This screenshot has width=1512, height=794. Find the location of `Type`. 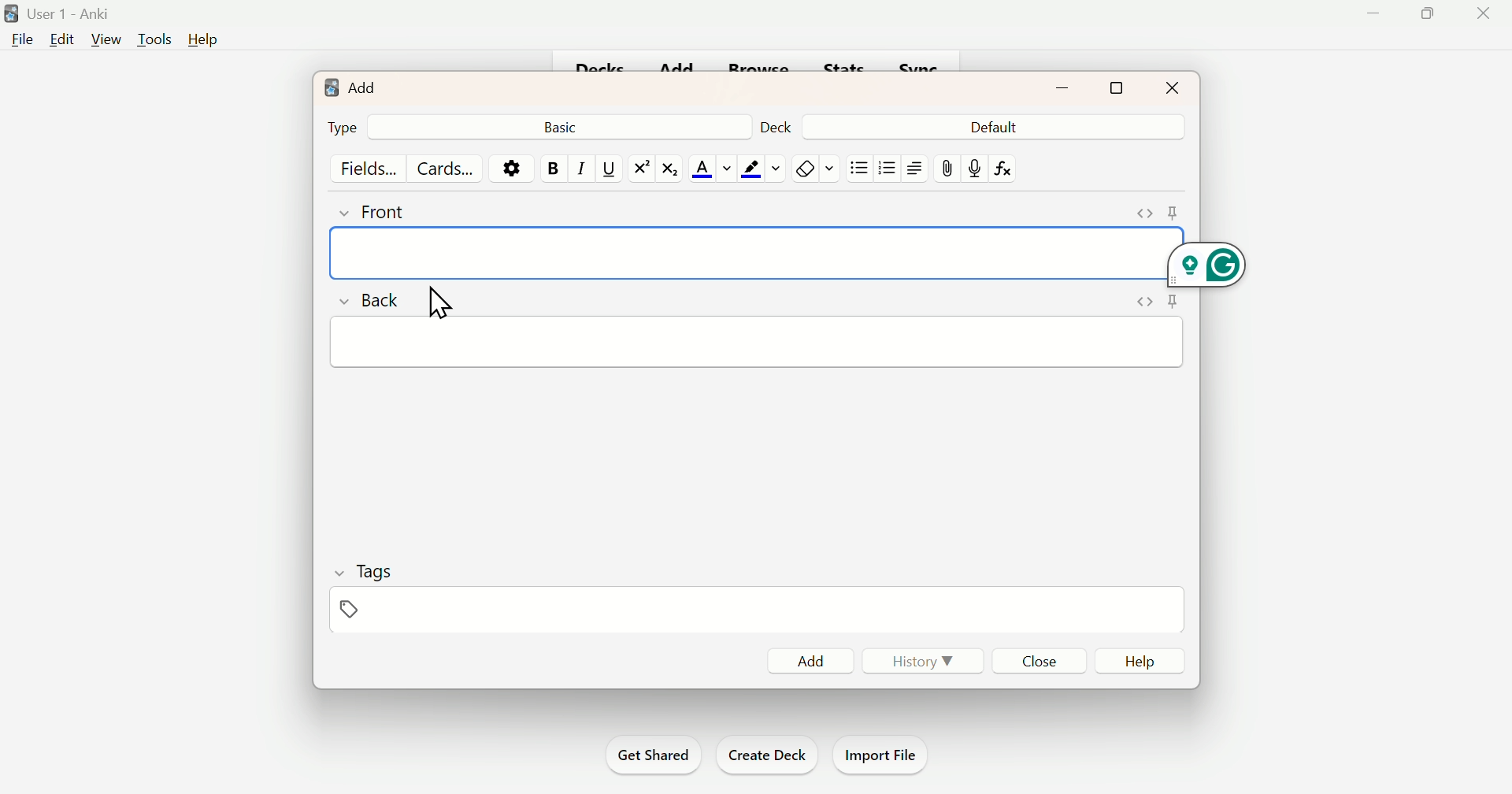

Type is located at coordinates (343, 126).